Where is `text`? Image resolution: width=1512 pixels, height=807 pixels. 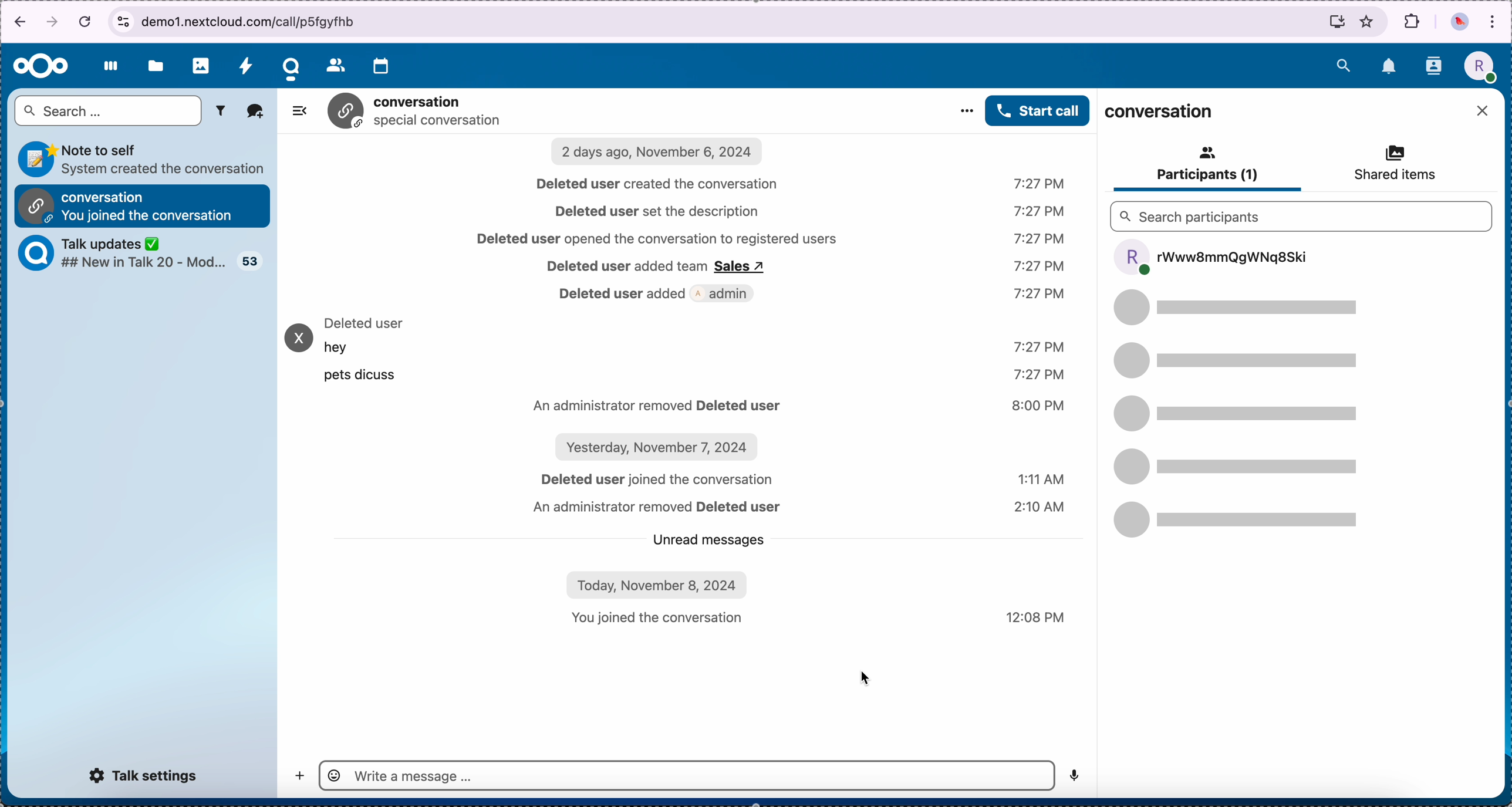 text is located at coordinates (367, 352).